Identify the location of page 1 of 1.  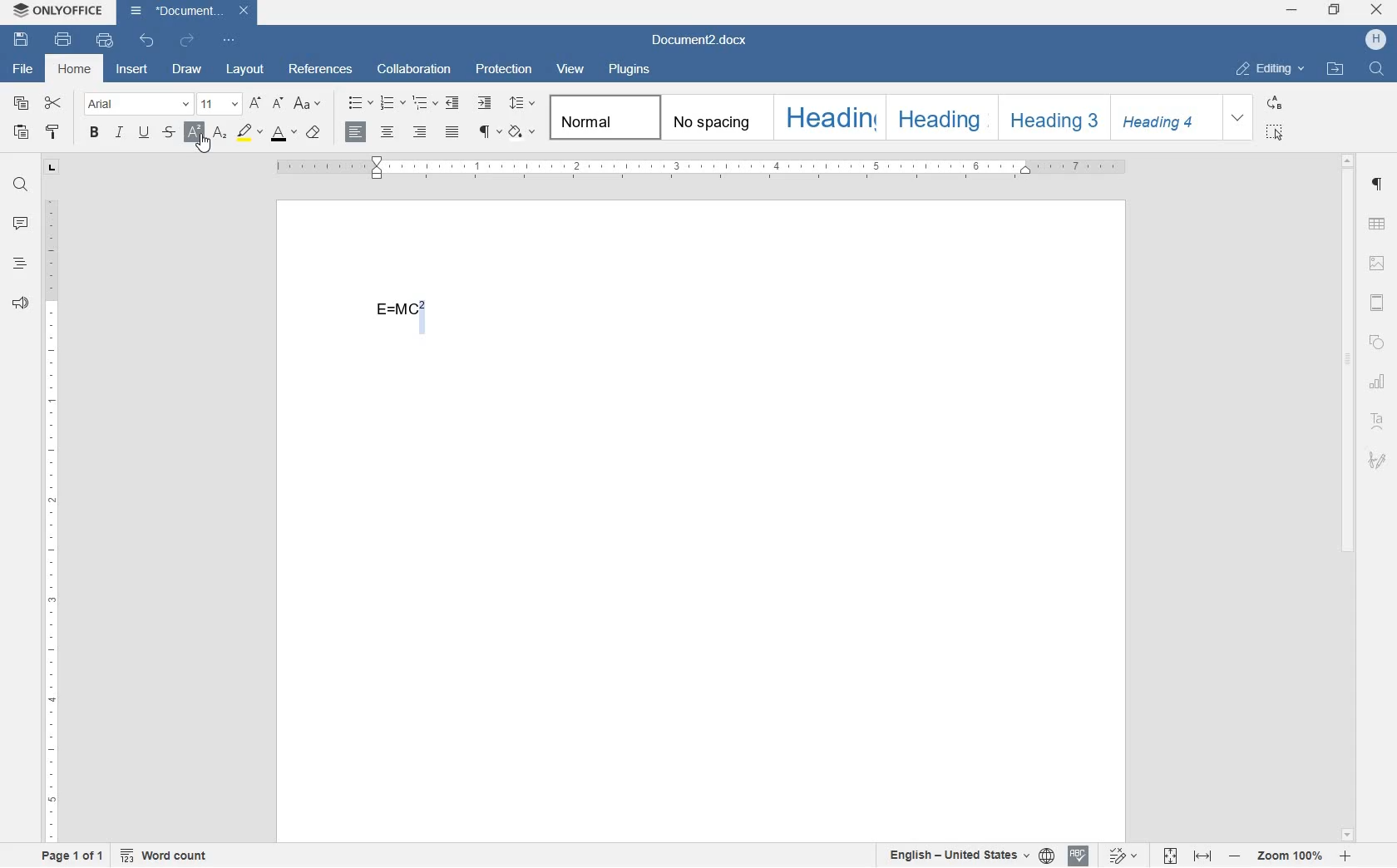
(76, 858).